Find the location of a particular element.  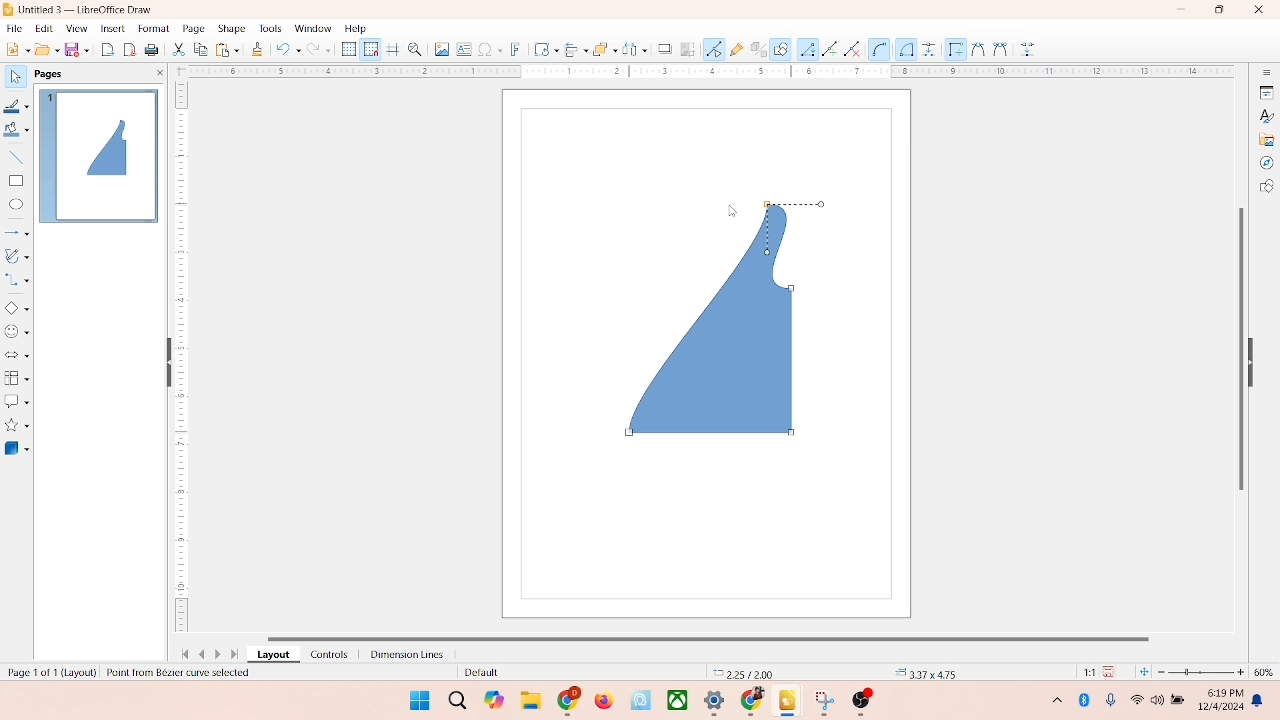

dimension lines is located at coordinates (402, 654).